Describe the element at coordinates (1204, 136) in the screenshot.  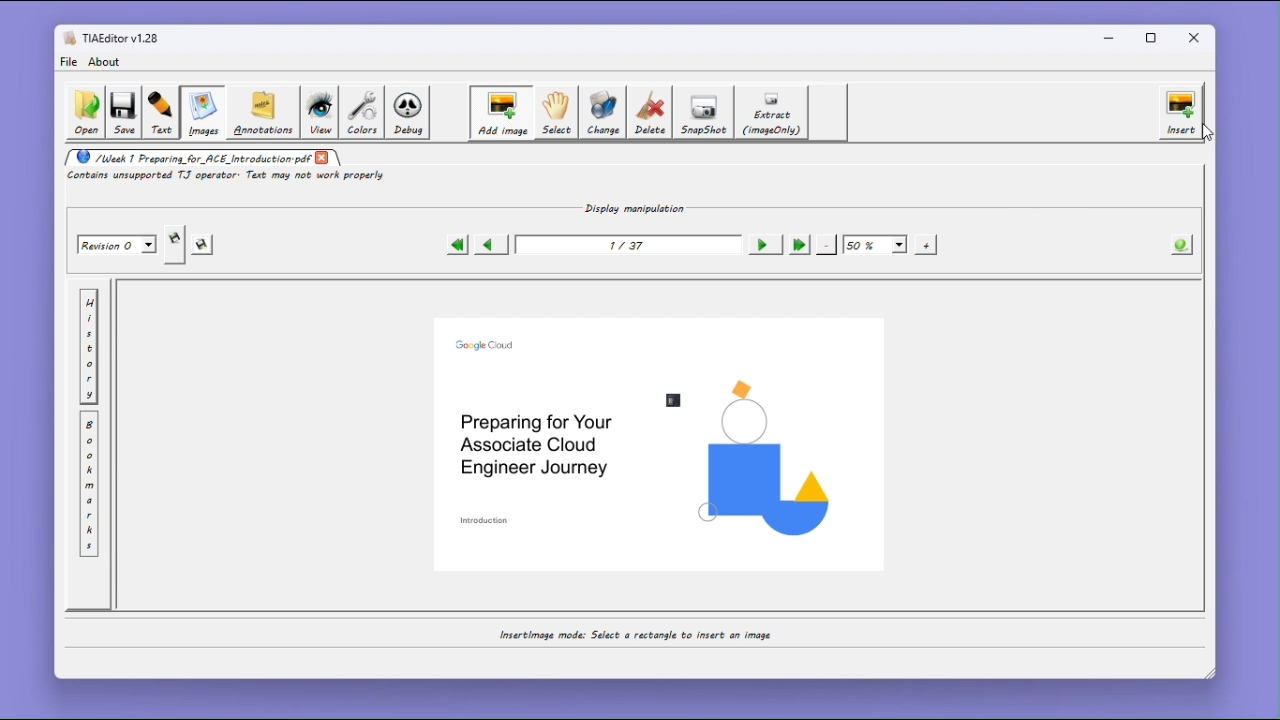
I see `cursor` at that location.